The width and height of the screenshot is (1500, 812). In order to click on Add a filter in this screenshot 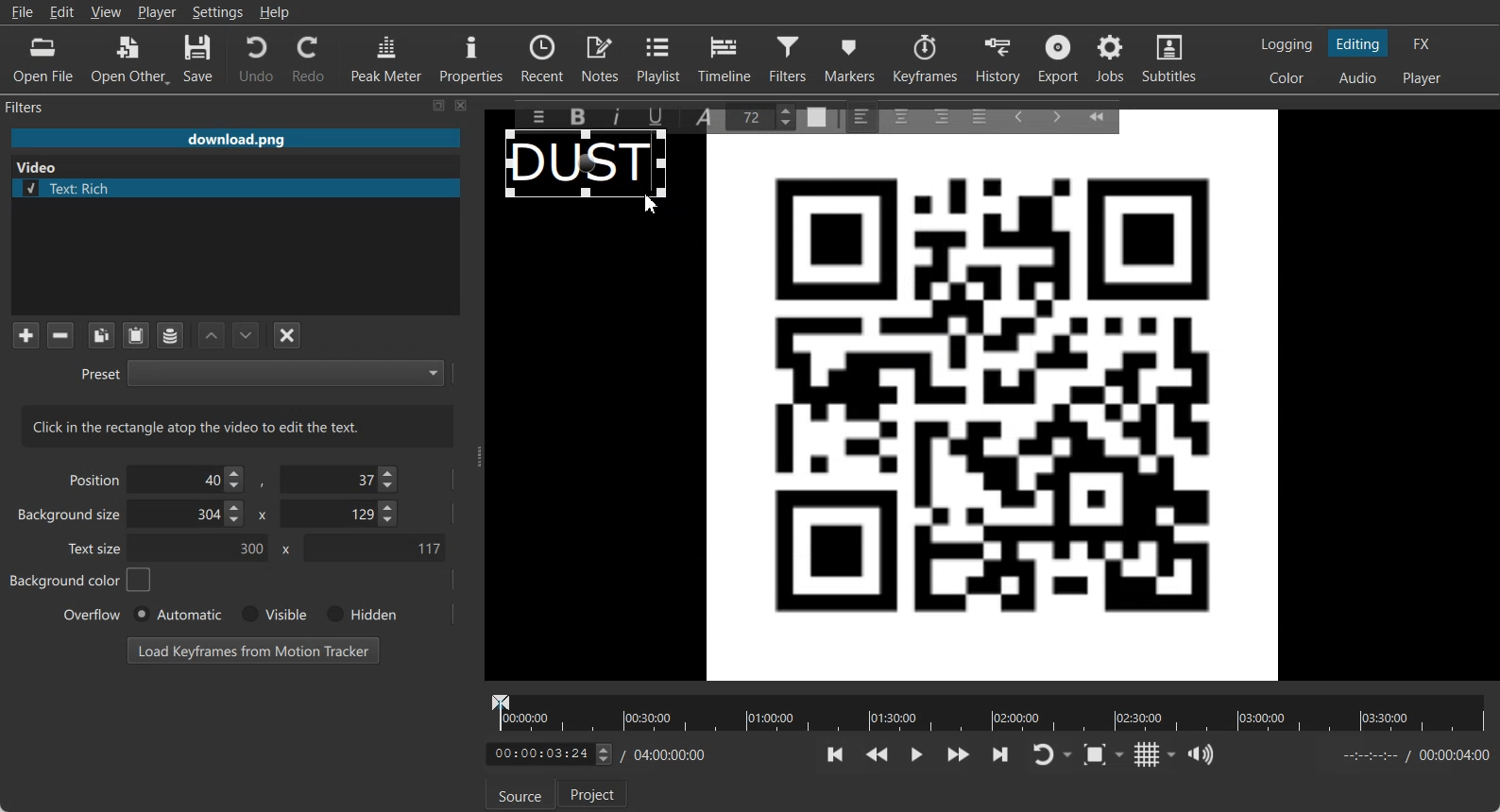, I will do `click(26, 334)`.